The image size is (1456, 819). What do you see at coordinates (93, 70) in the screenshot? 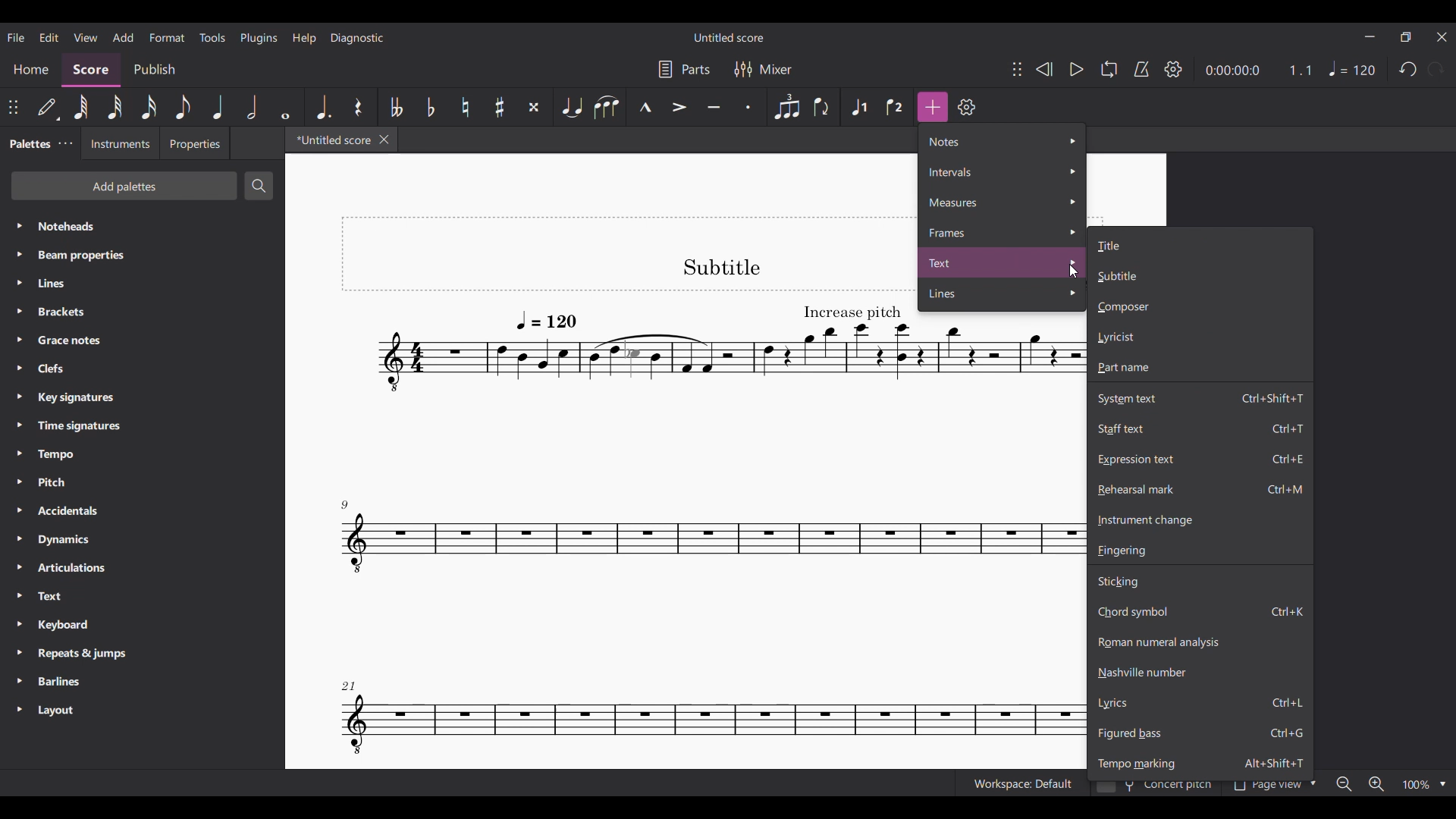
I see `Score, current section highlighted` at bounding box center [93, 70].